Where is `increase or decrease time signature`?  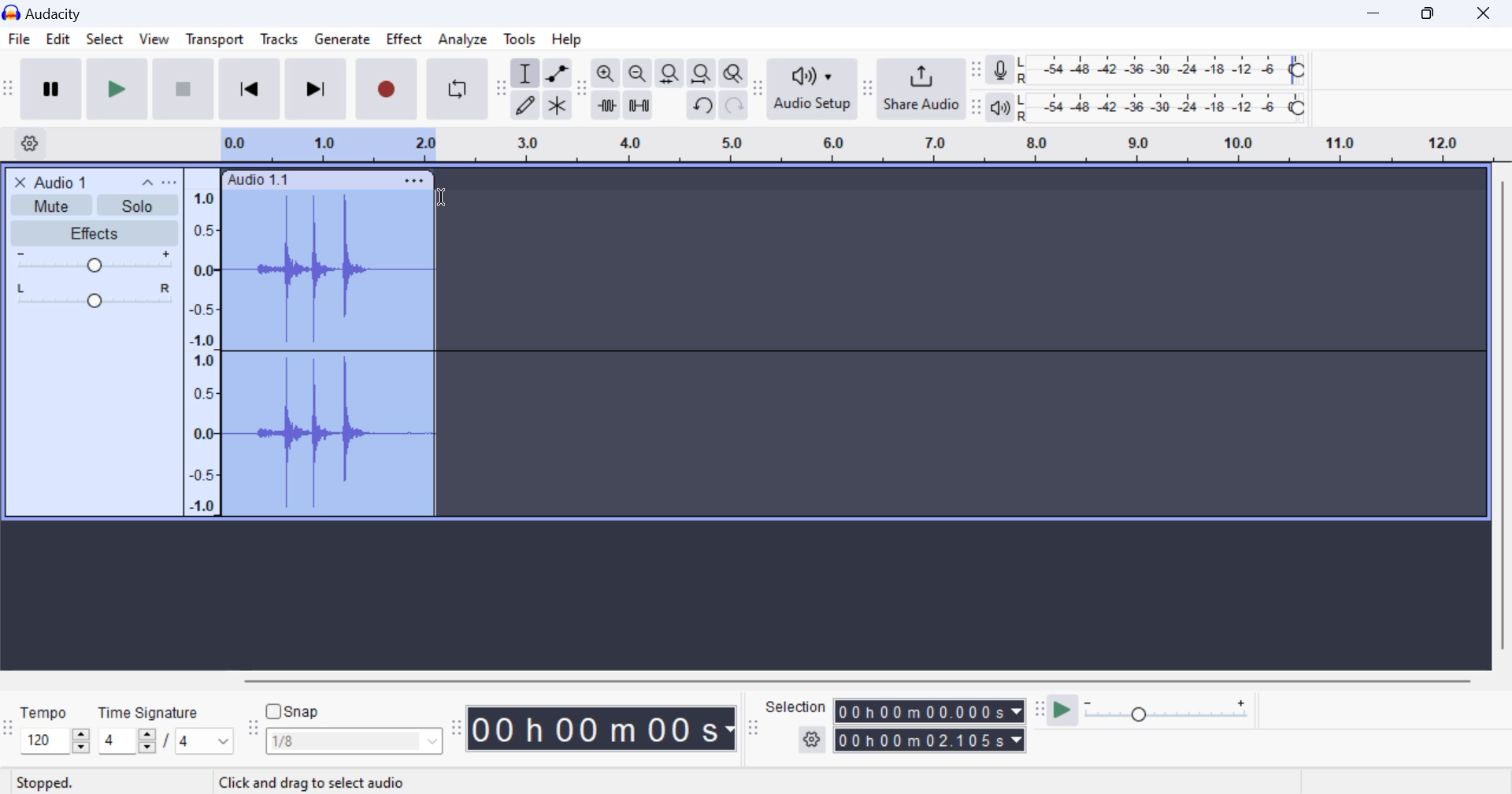
increase or decrease time signature is located at coordinates (127, 741).